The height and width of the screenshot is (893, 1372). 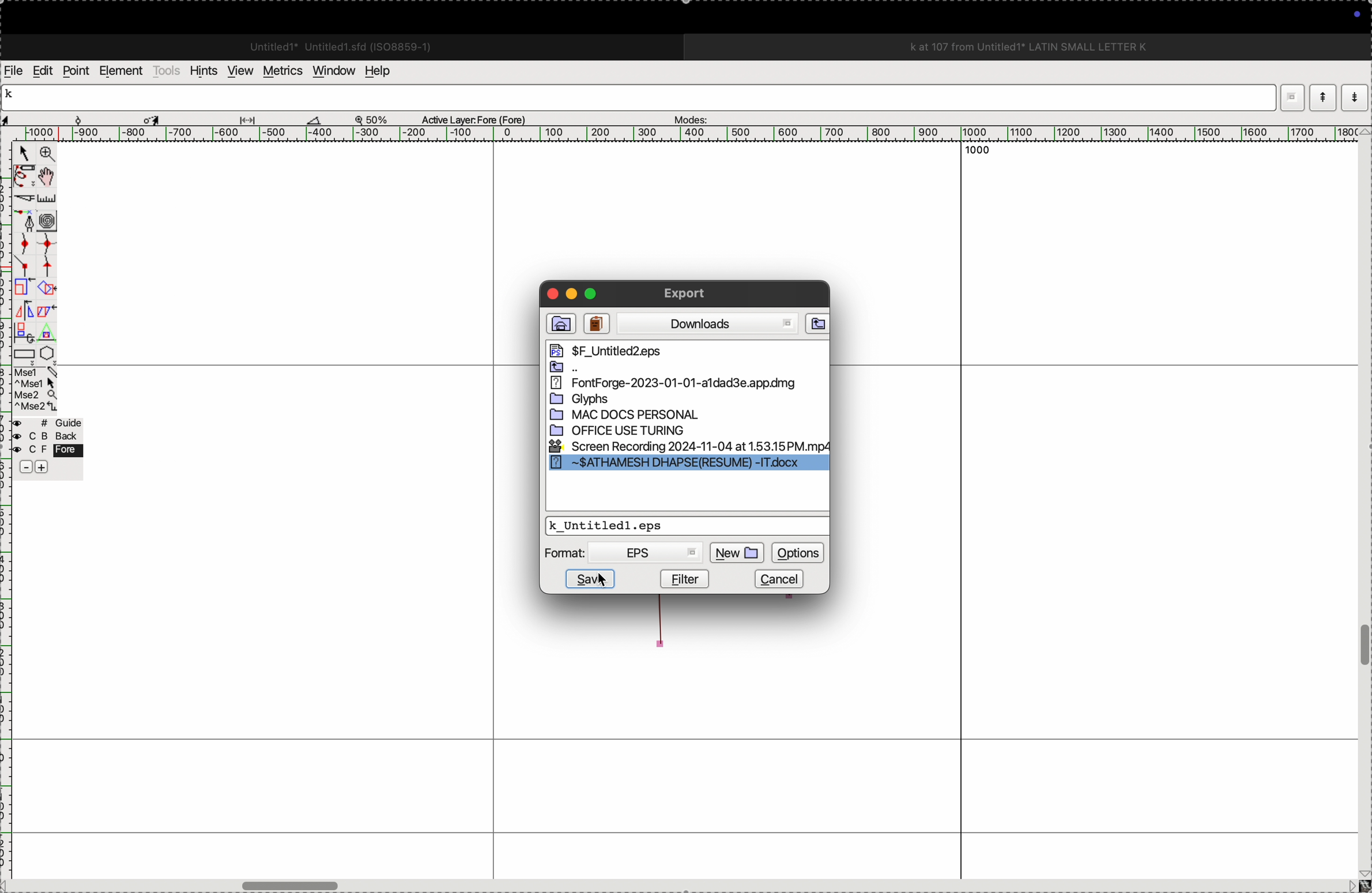 I want to click on , so click(x=693, y=448).